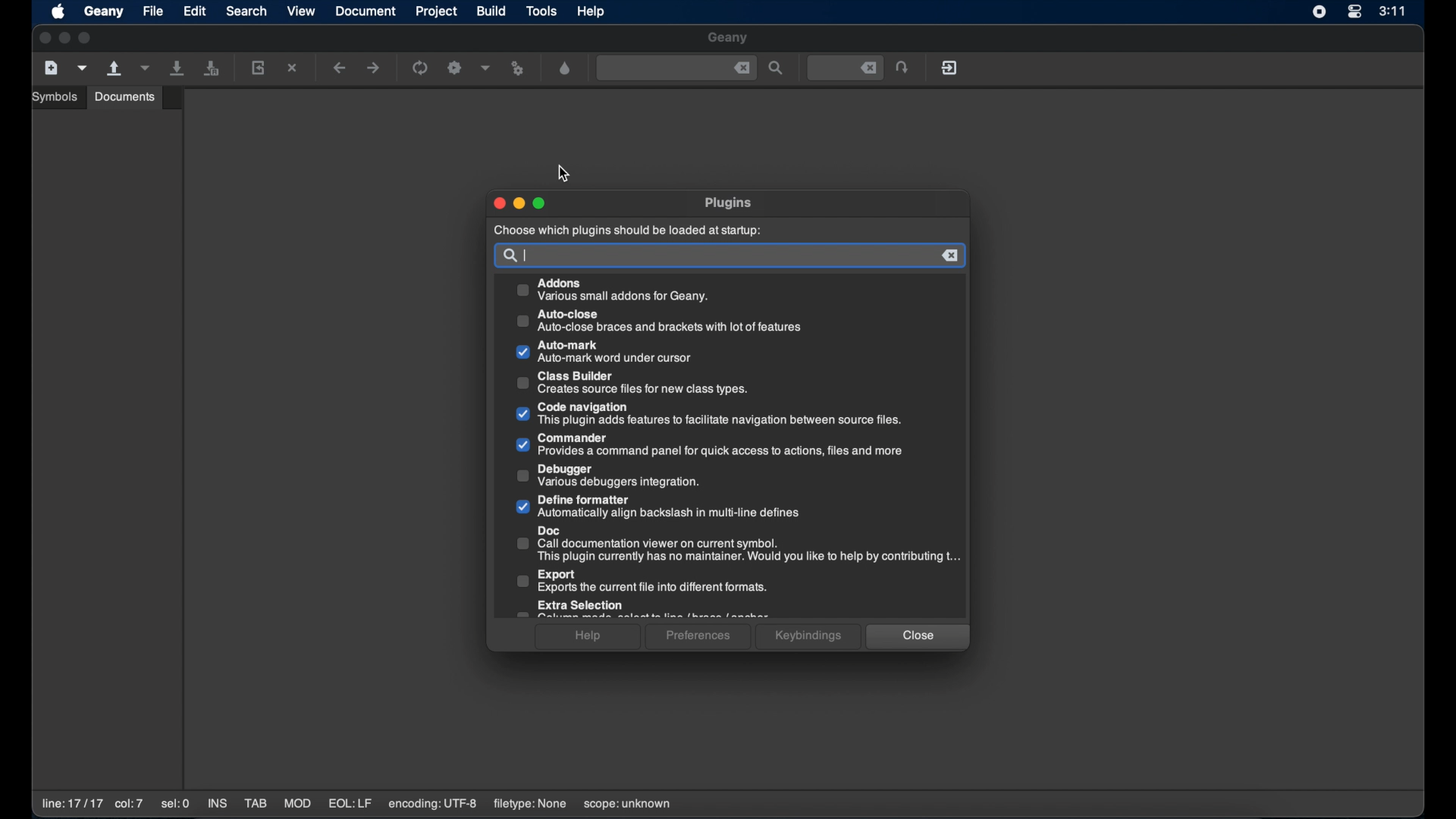  Describe the element at coordinates (60, 13) in the screenshot. I see `apple icon` at that location.